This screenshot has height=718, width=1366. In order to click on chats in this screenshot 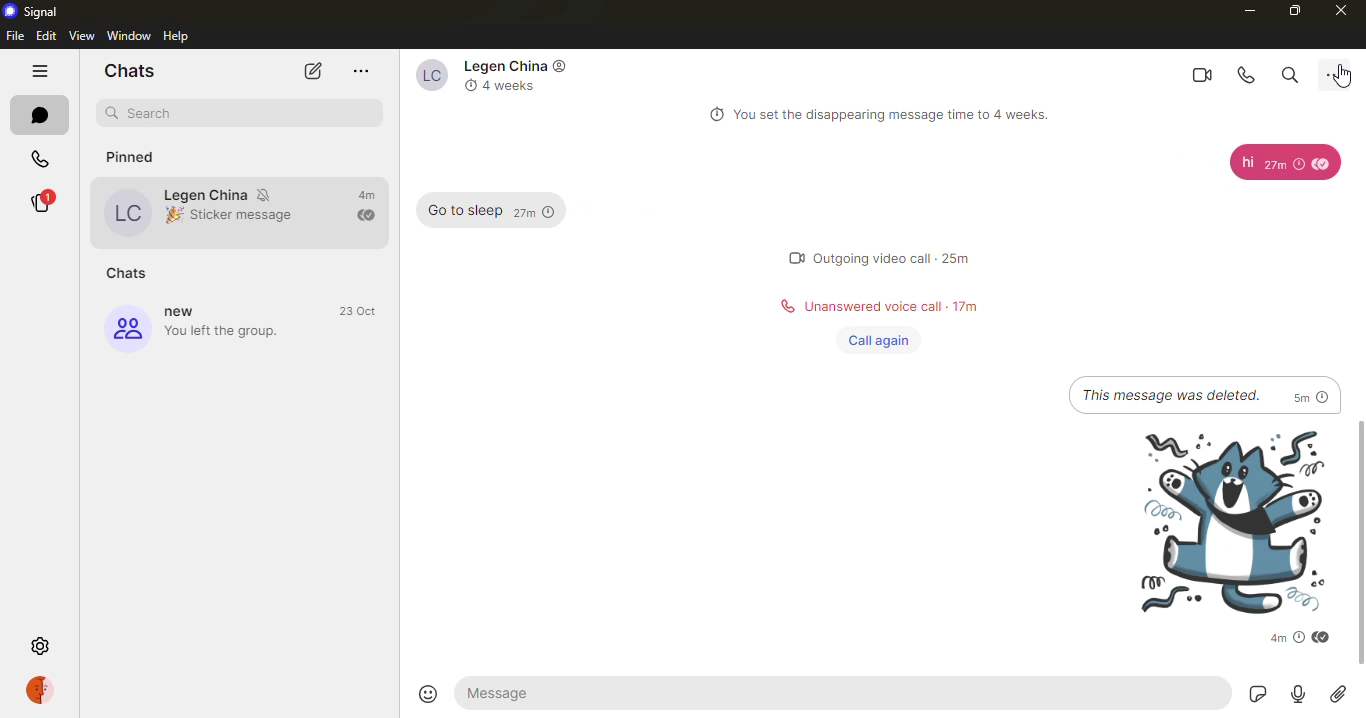, I will do `click(127, 69)`.